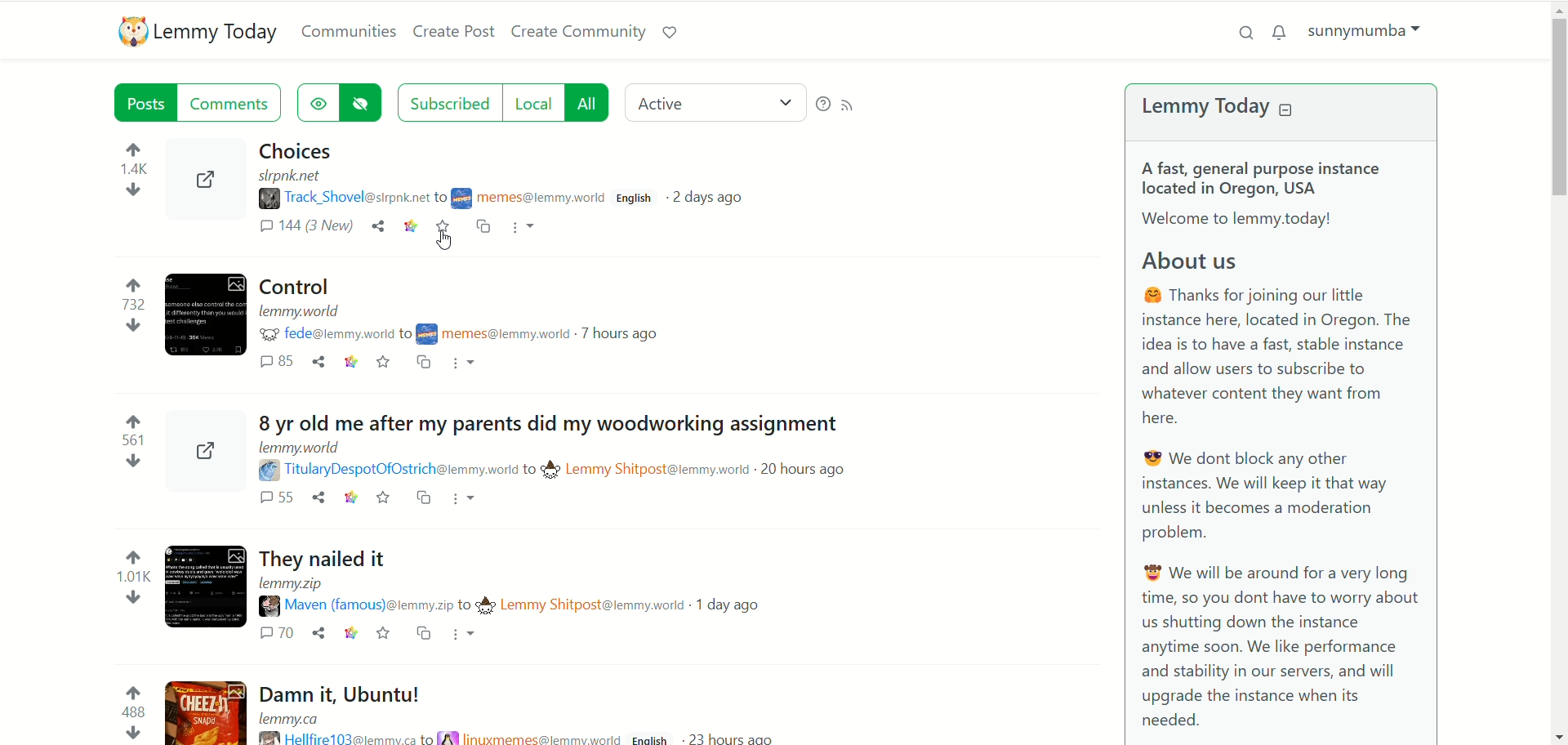  What do you see at coordinates (384, 636) in the screenshot?
I see `save` at bounding box center [384, 636].